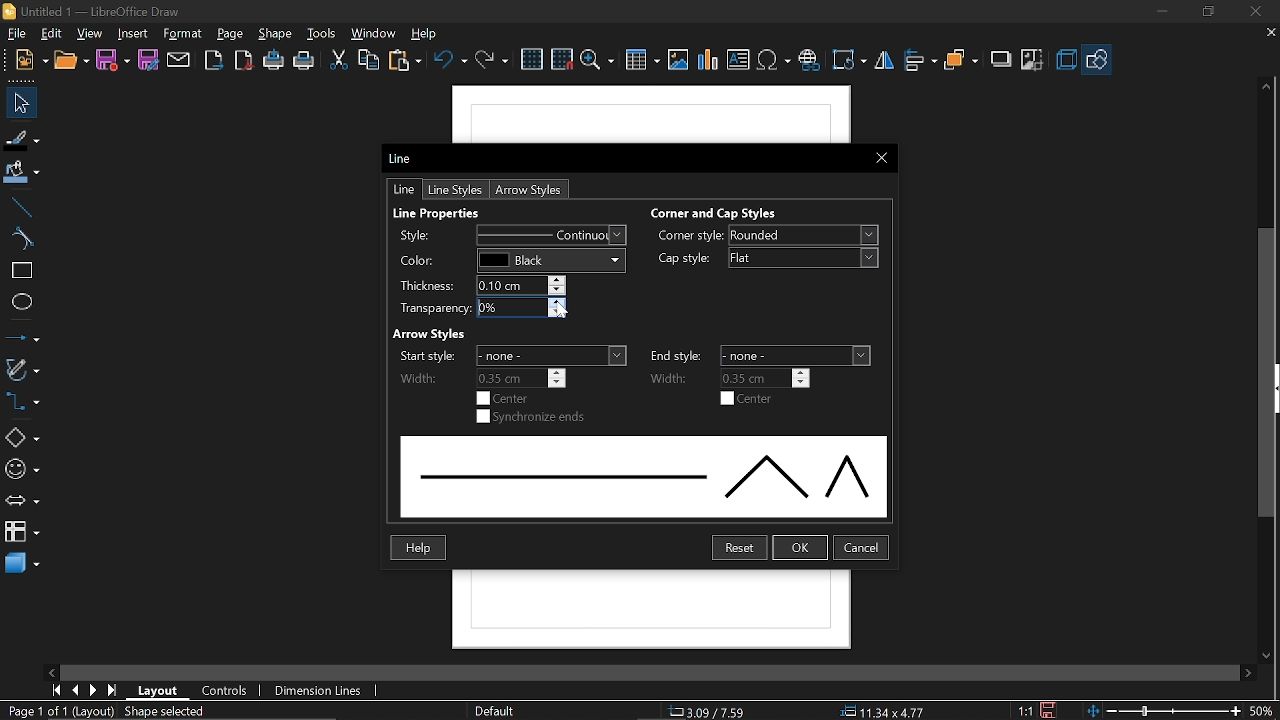  Describe the element at coordinates (530, 190) in the screenshot. I see `Arrow styles` at that location.